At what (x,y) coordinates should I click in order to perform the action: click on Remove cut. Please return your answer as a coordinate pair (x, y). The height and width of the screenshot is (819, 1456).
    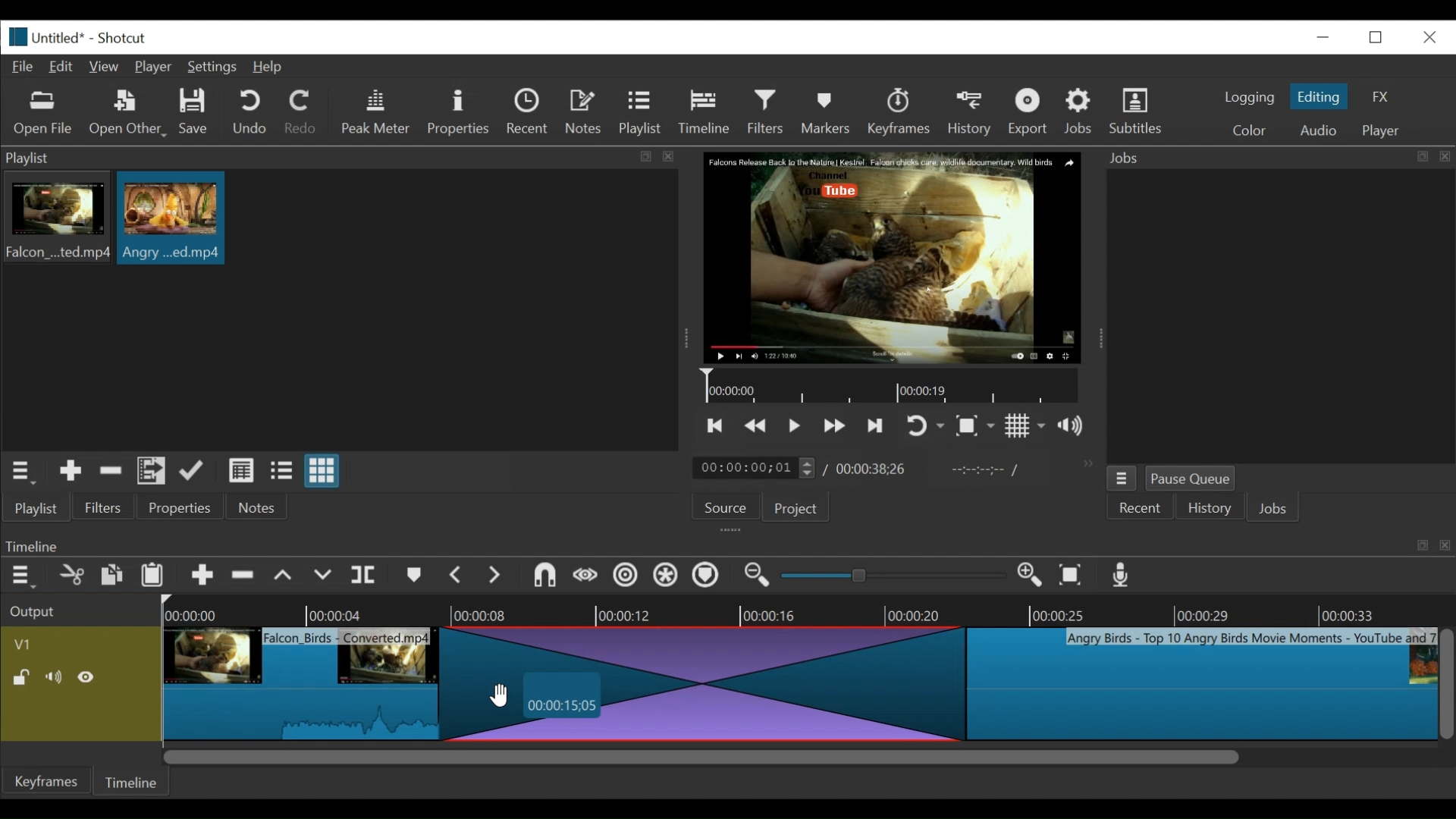
    Looking at the image, I should click on (111, 473).